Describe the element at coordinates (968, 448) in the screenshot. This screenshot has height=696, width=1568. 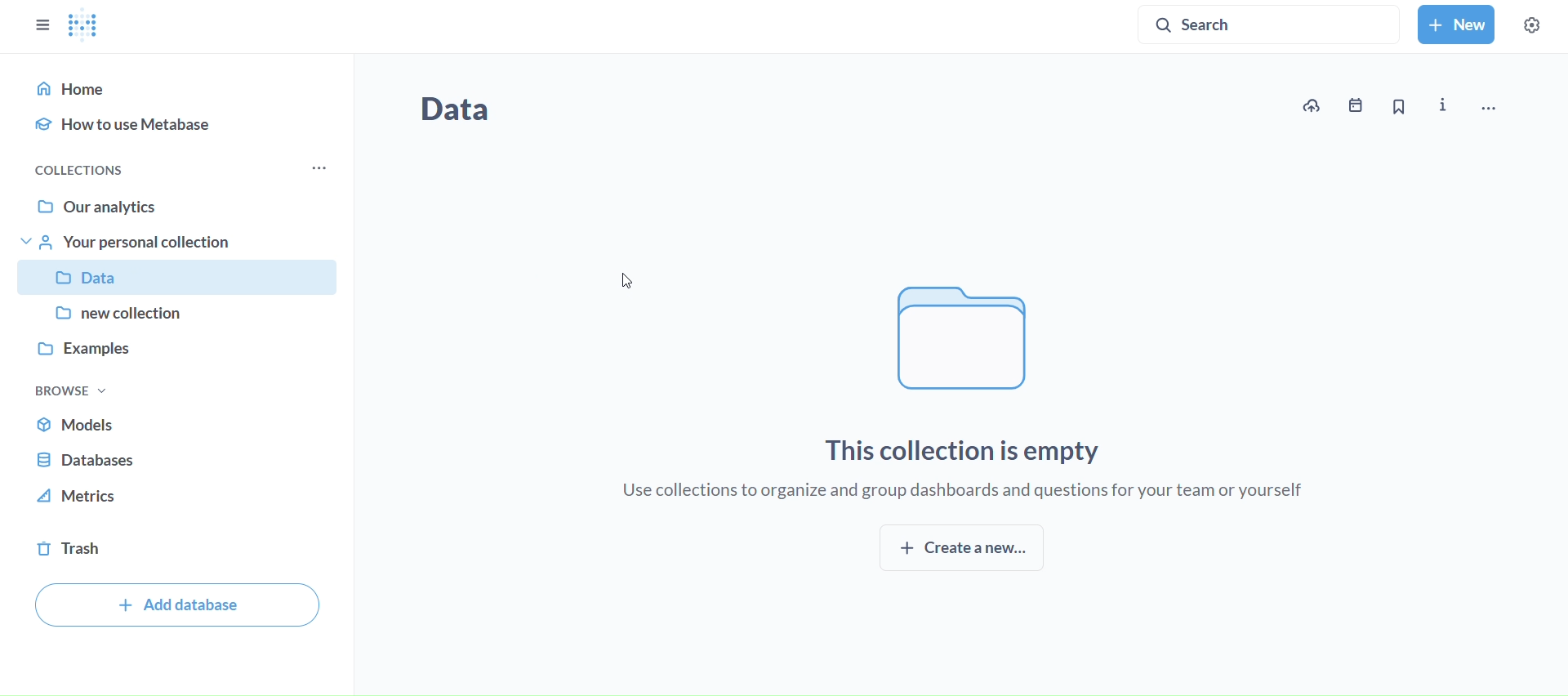
I see `this collection is empty` at that location.